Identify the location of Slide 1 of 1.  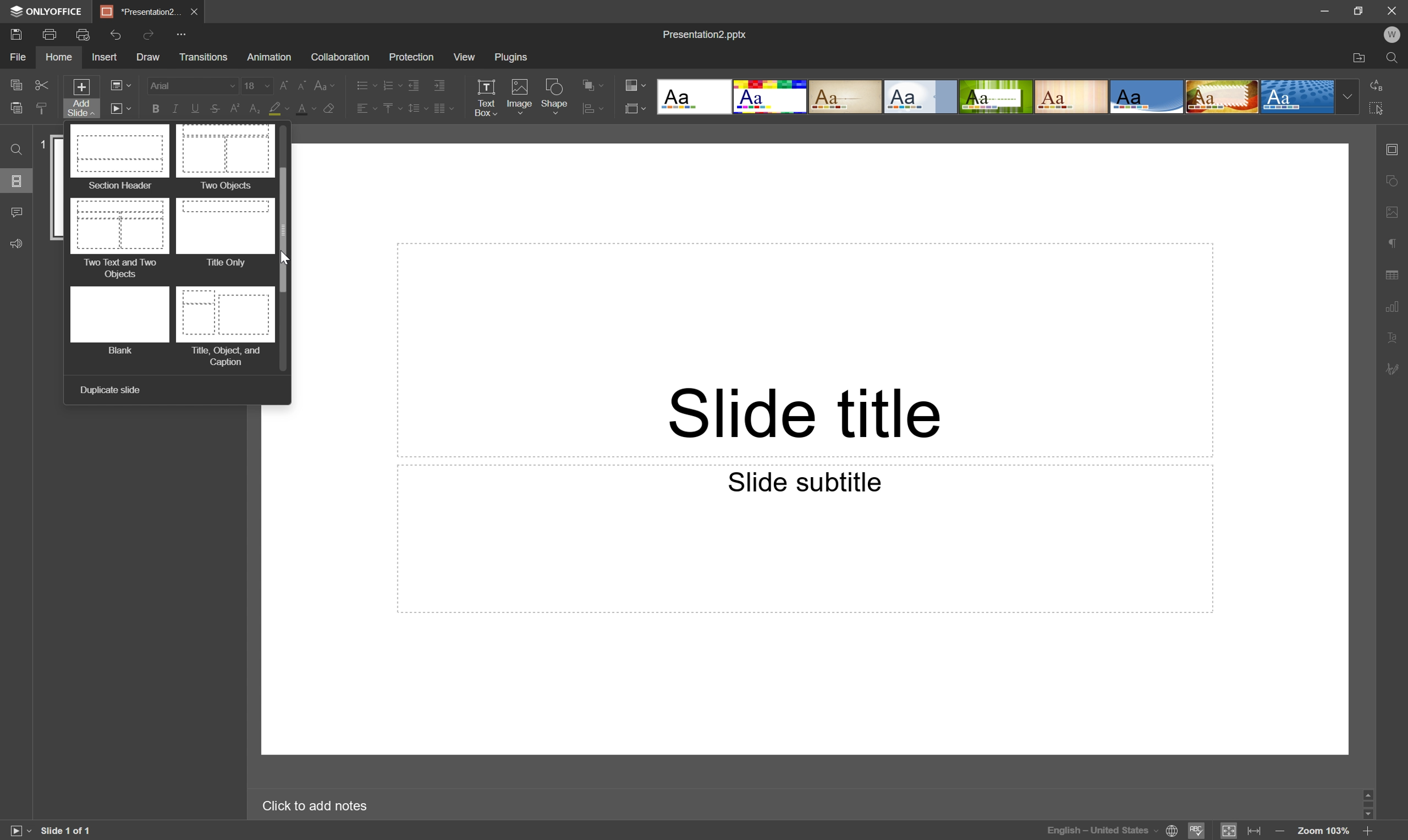
(67, 829).